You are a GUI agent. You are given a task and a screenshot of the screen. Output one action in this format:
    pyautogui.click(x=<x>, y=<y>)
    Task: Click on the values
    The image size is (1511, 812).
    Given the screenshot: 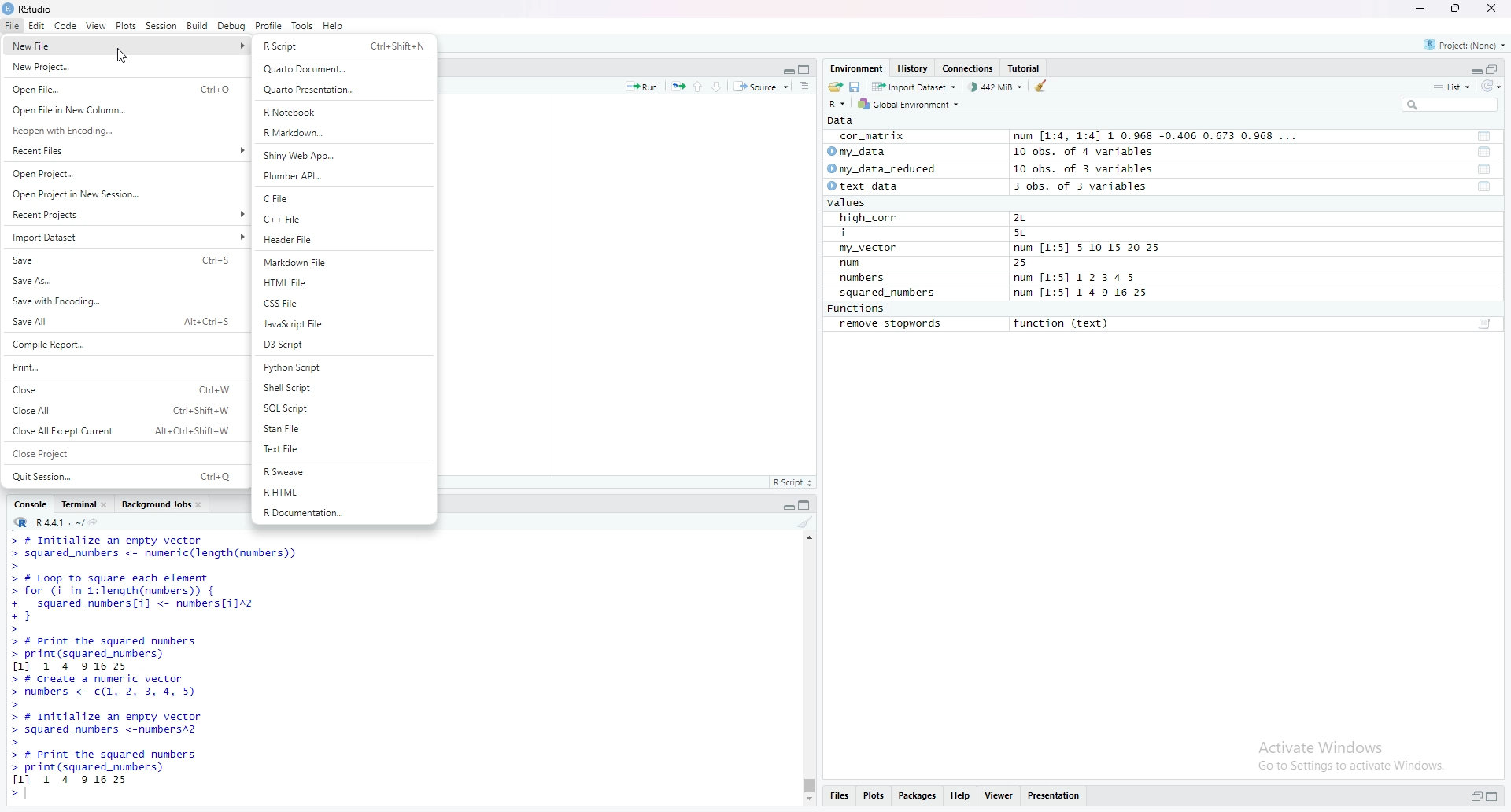 What is the action you would take?
    pyautogui.click(x=857, y=203)
    